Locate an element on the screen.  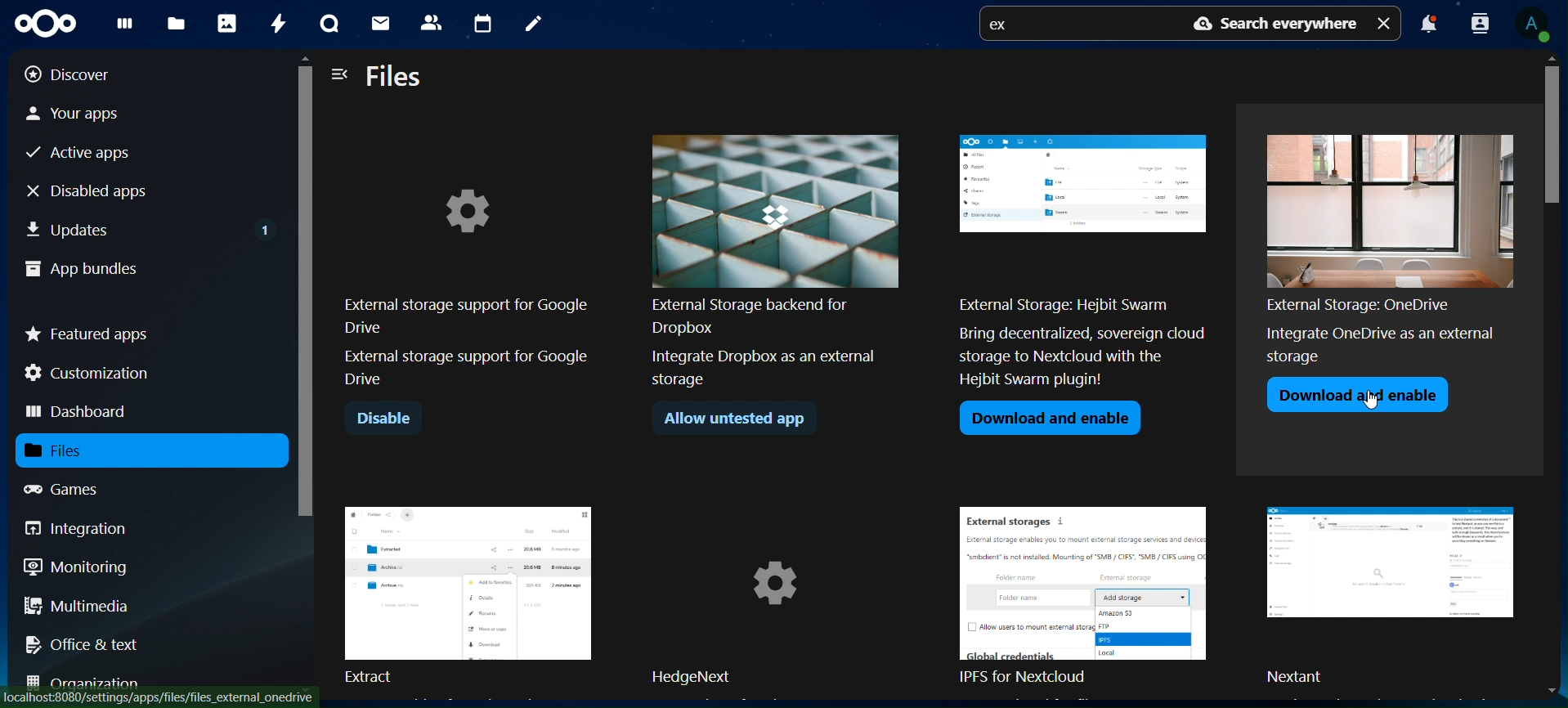
updates is located at coordinates (150, 226).